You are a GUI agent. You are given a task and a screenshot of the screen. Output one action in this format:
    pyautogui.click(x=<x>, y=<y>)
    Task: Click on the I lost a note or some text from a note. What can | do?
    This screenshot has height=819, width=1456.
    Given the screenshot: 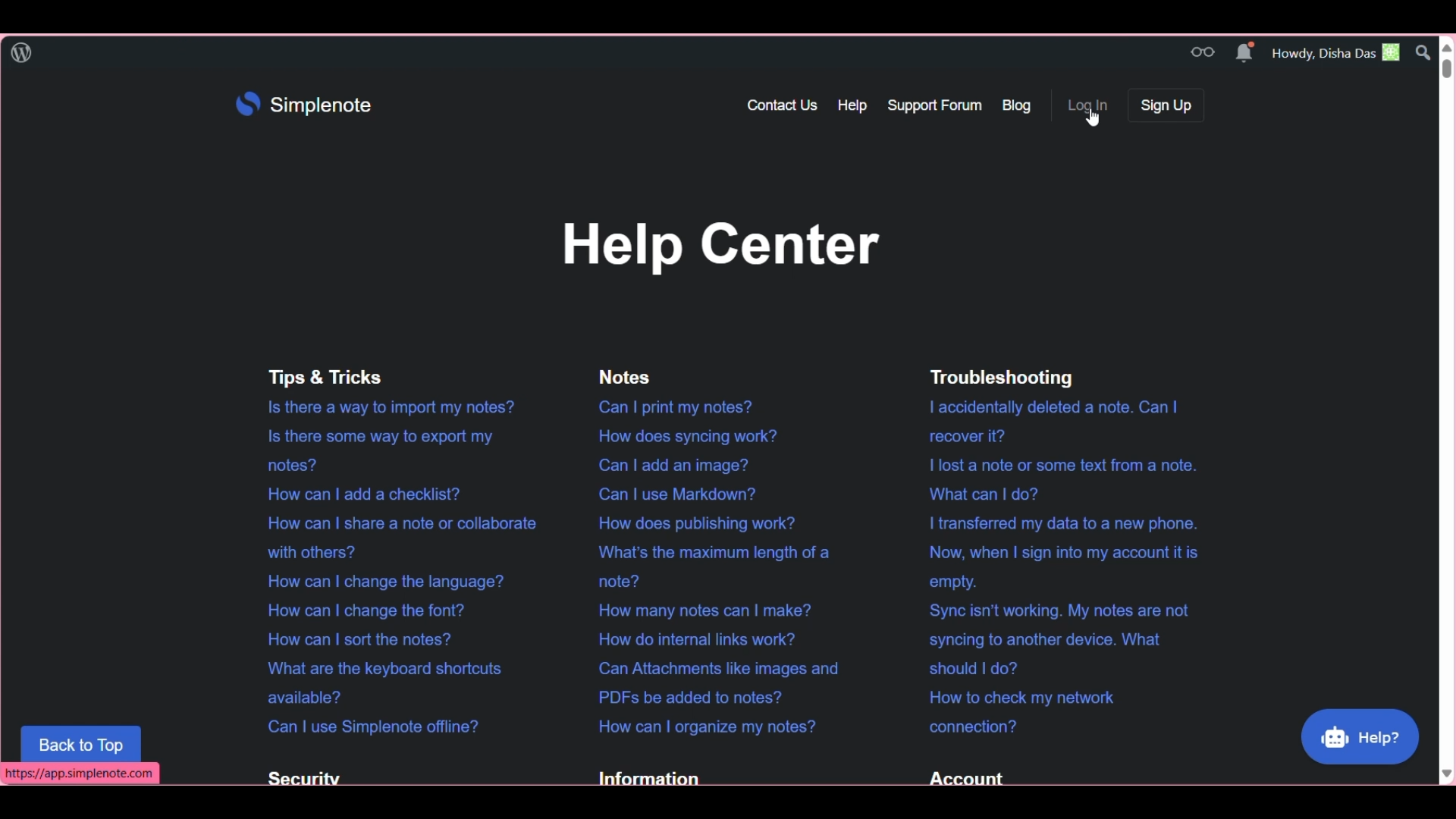 What is the action you would take?
    pyautogui.click(x=1052, y=481)
    